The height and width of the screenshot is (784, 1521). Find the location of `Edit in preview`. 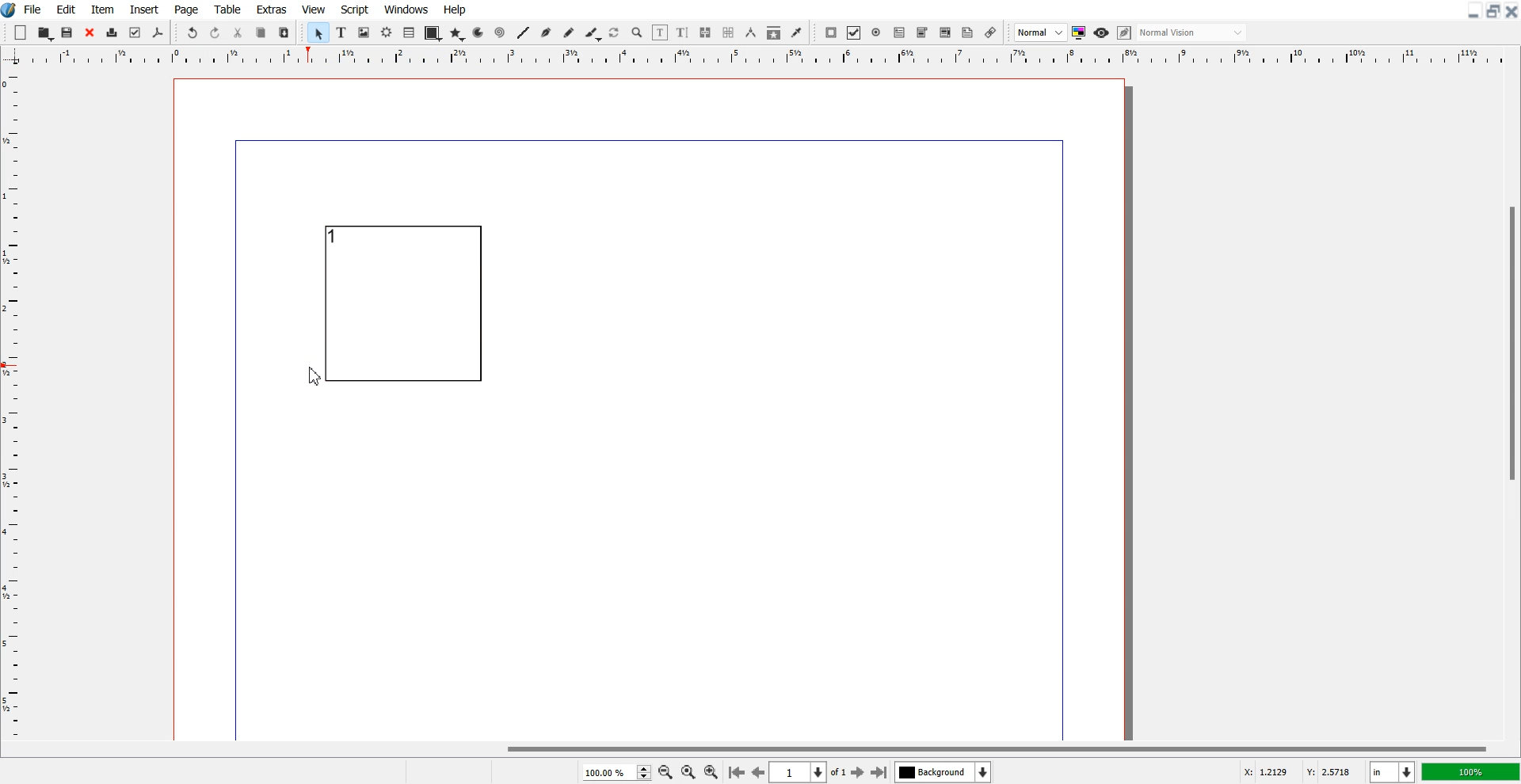

Edit in preview is located at coordinates (1126, 33).